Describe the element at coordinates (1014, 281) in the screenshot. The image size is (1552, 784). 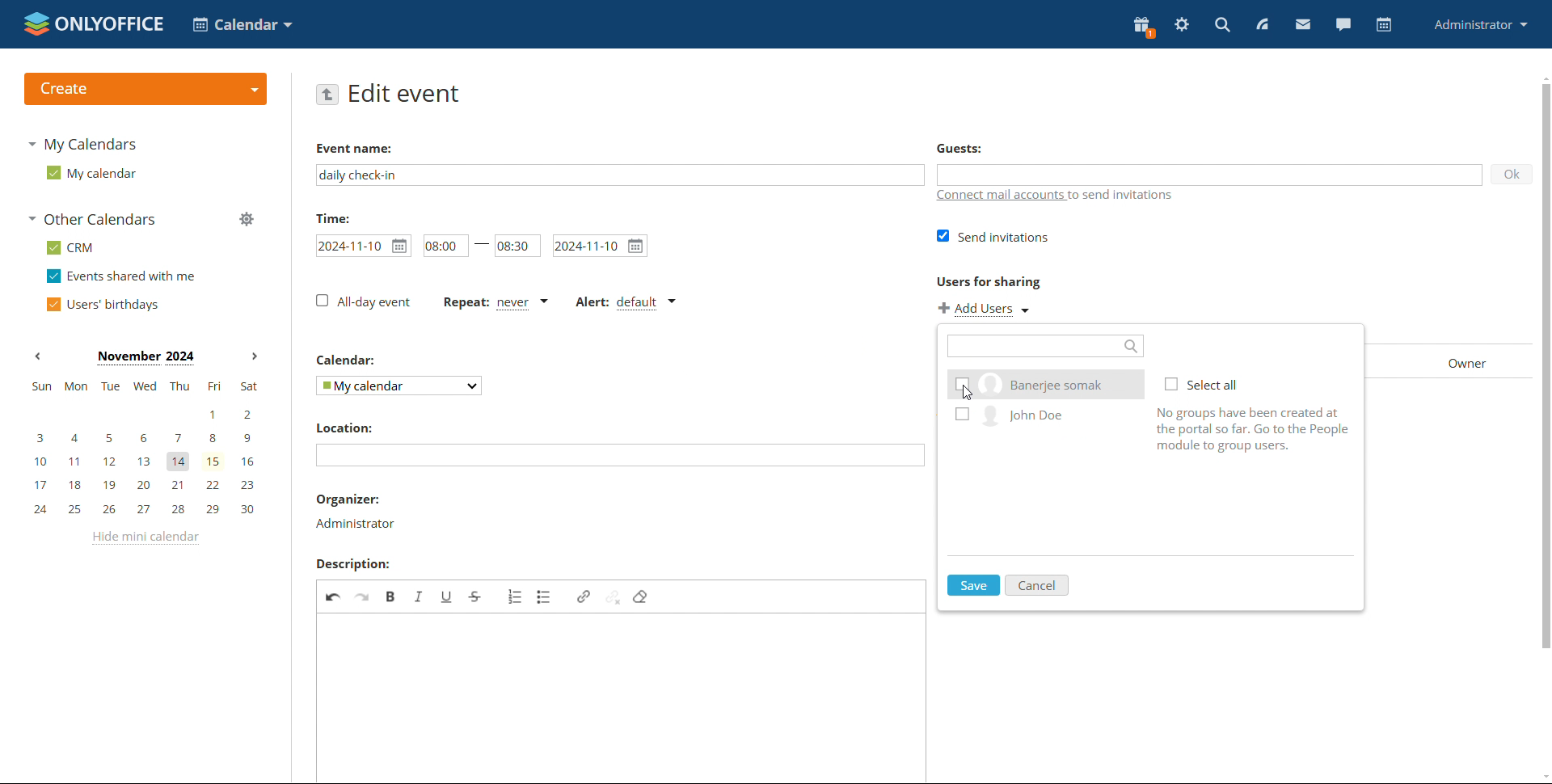
I see `user for sharing:` at that location.